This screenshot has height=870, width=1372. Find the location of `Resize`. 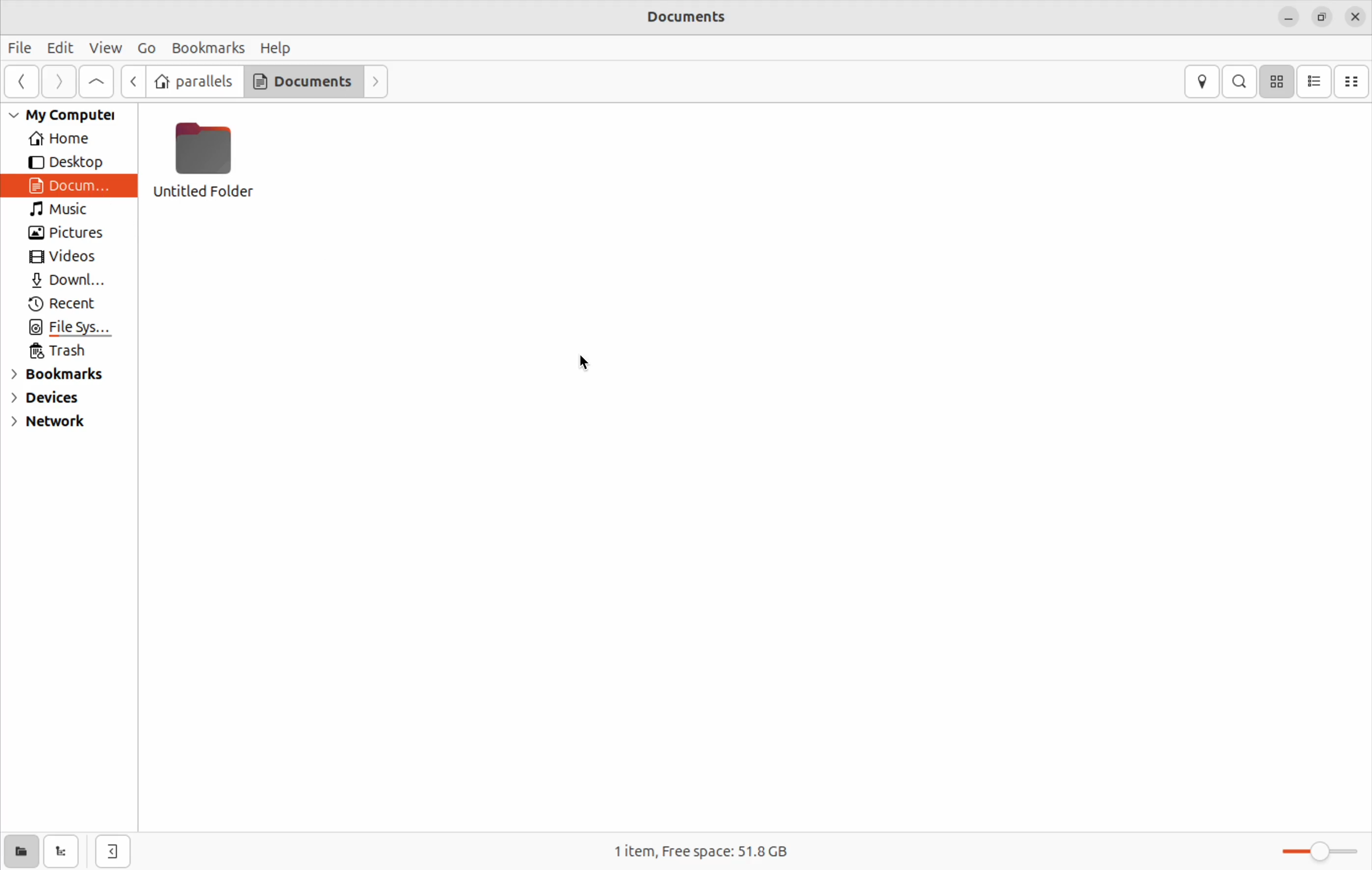

Resize is located at coordinates (1324, 15).